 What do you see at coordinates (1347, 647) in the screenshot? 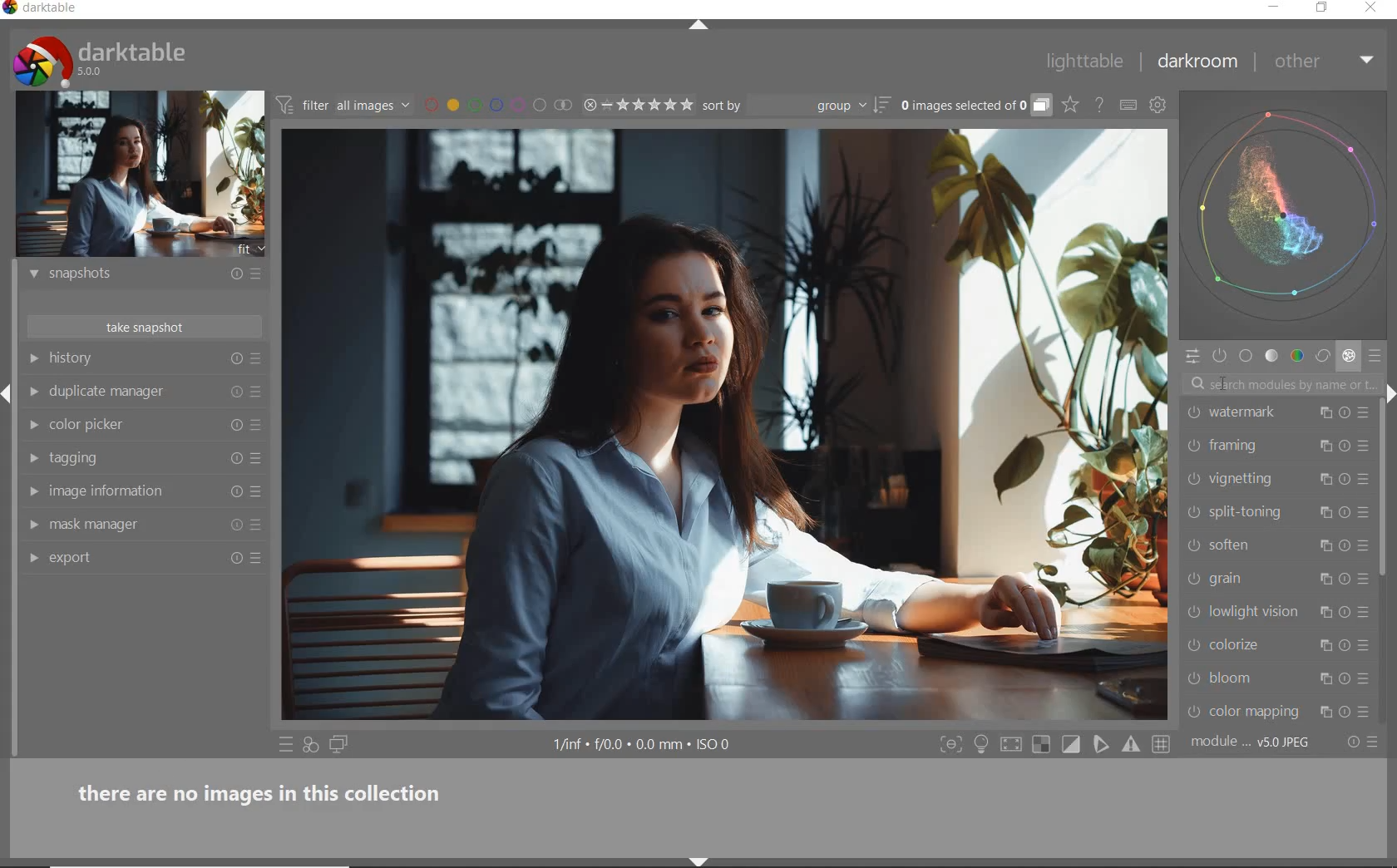
I see `reset` at bounding box center [1347, 647].